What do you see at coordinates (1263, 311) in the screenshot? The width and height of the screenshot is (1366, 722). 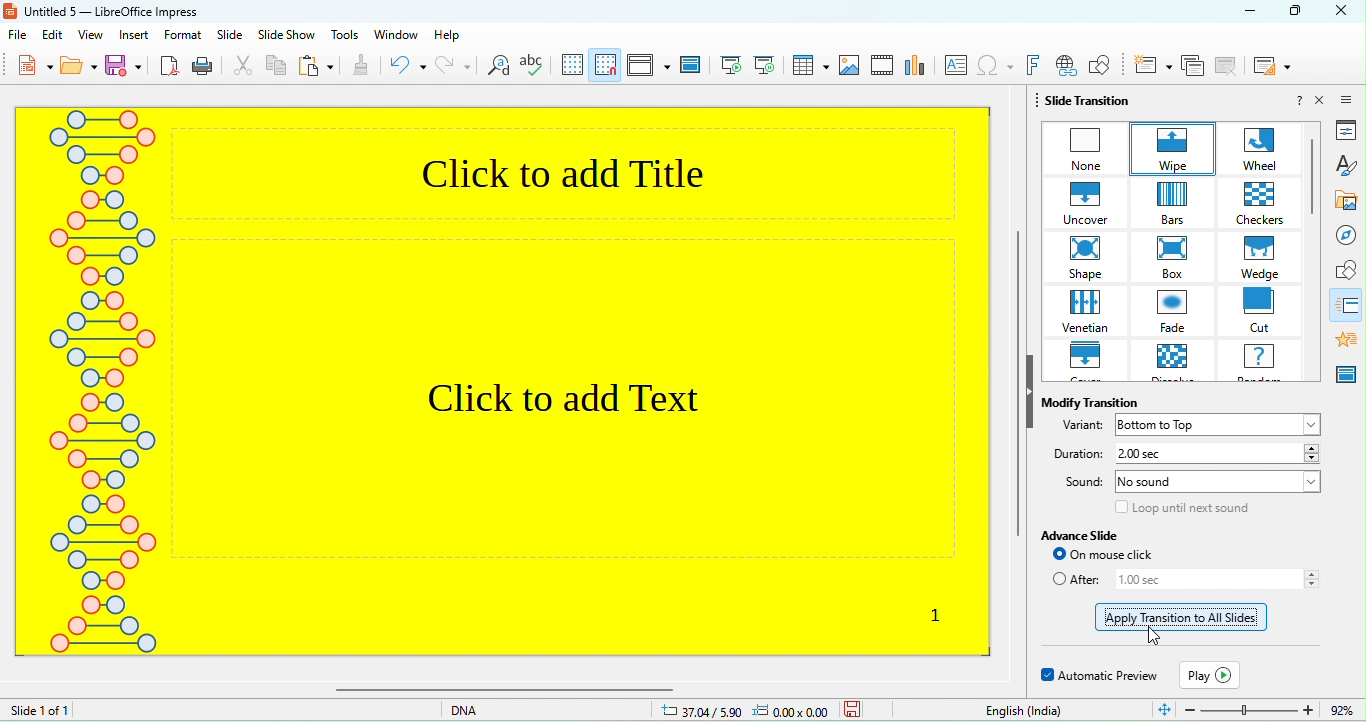 I see `cut` at bounding box center [1263, 311].